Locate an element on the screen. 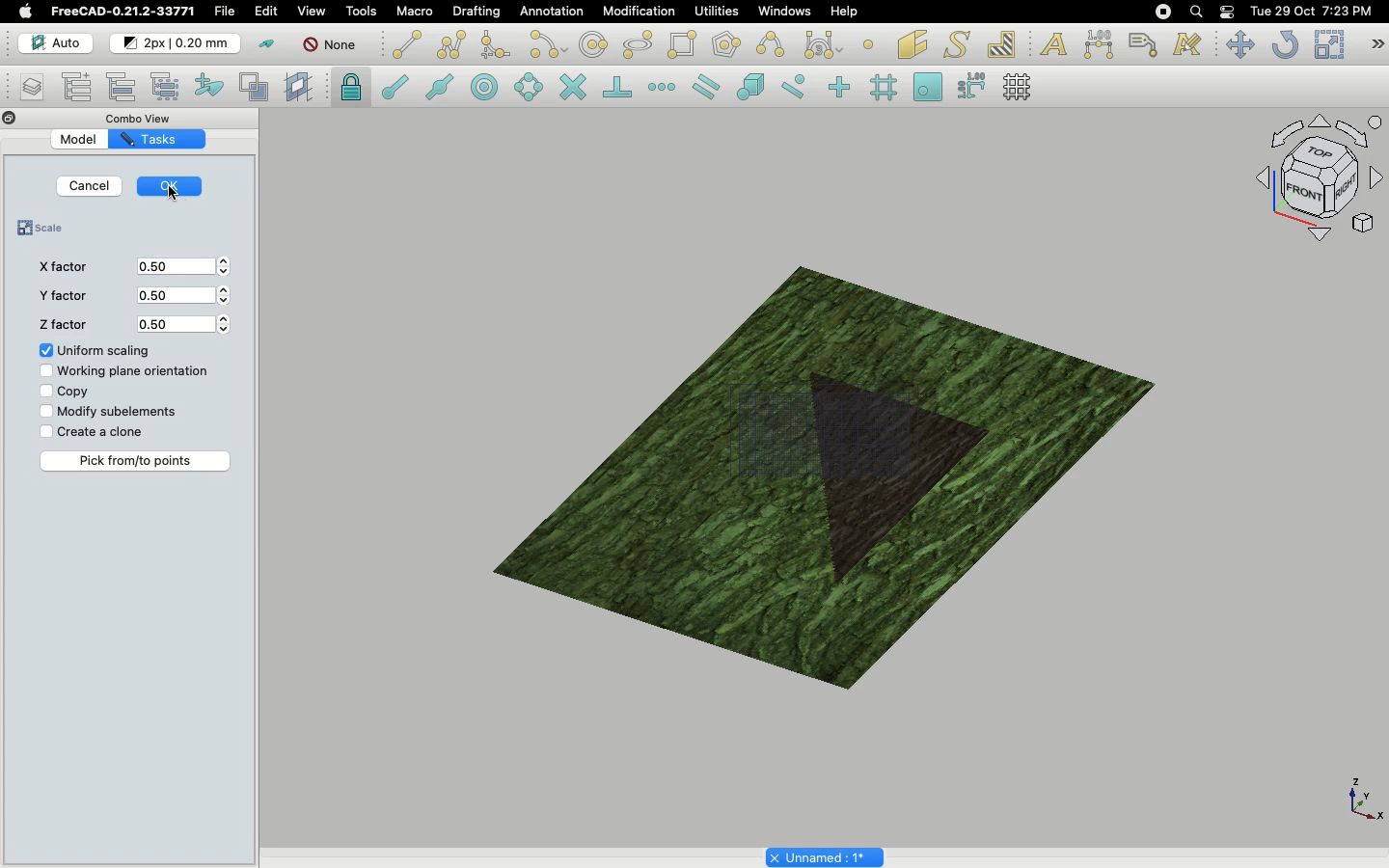 This screenshot has width=1389, height=868. Z factor is located at coordinates (62, 326).